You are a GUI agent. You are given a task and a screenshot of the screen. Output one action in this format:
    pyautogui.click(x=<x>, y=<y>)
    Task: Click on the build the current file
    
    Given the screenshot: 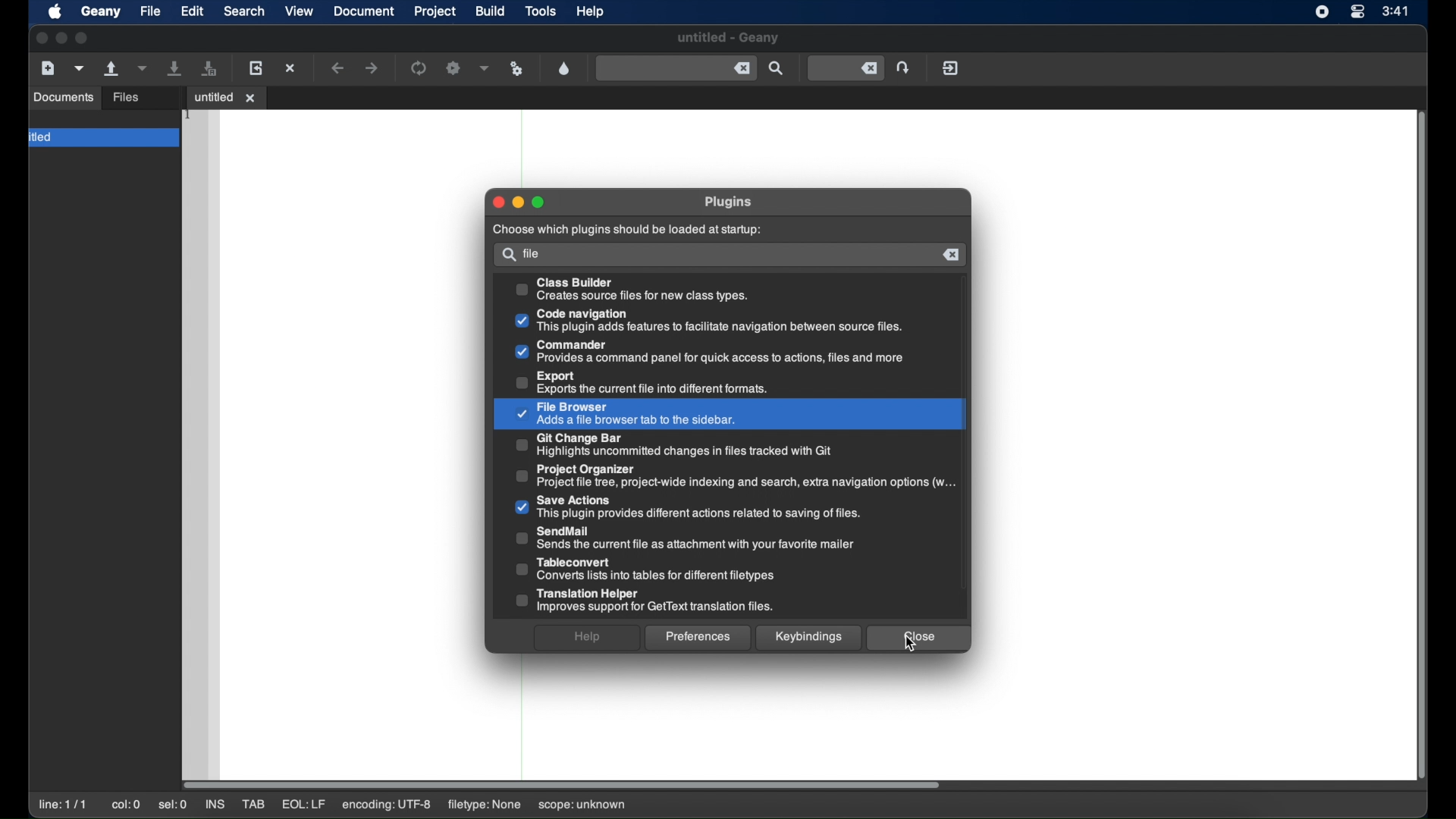 What is the action you would take?
    pyautogui.click(x=453, y=69)
    